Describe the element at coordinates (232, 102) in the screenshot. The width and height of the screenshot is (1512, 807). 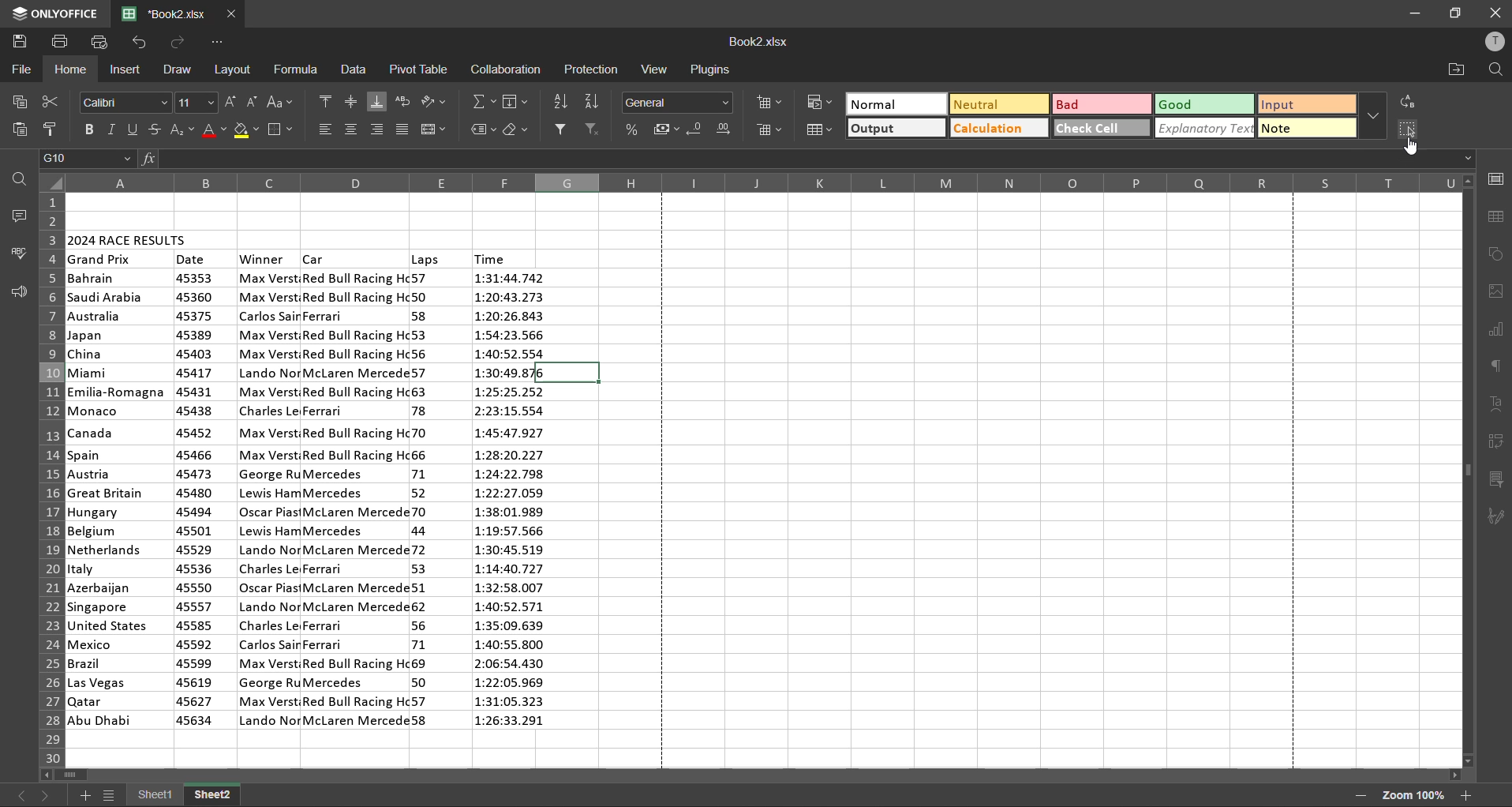
I see `increment size` at that location.